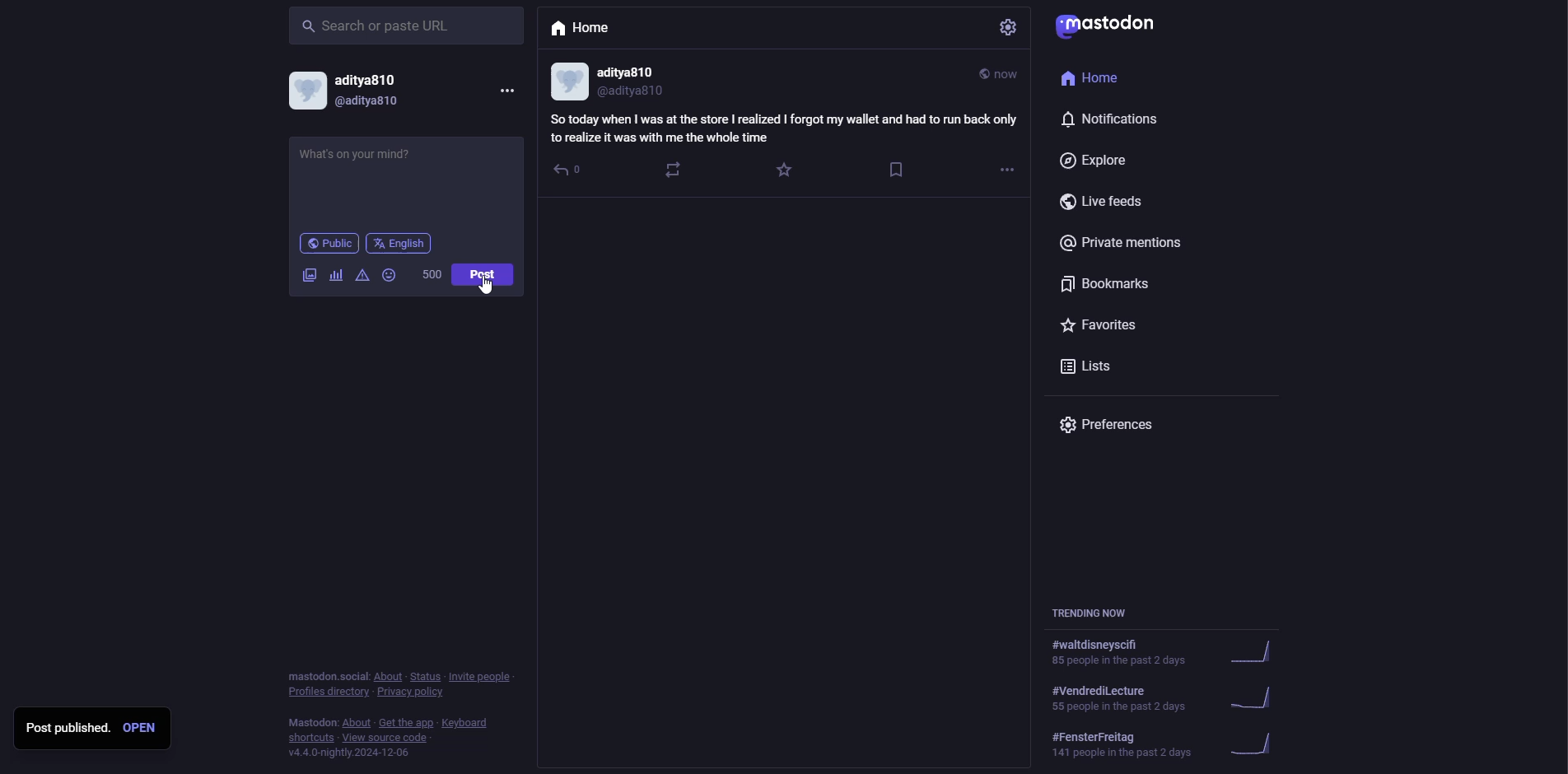 The image size is (1568, 774). I want to click on polls, so click(335, 275).